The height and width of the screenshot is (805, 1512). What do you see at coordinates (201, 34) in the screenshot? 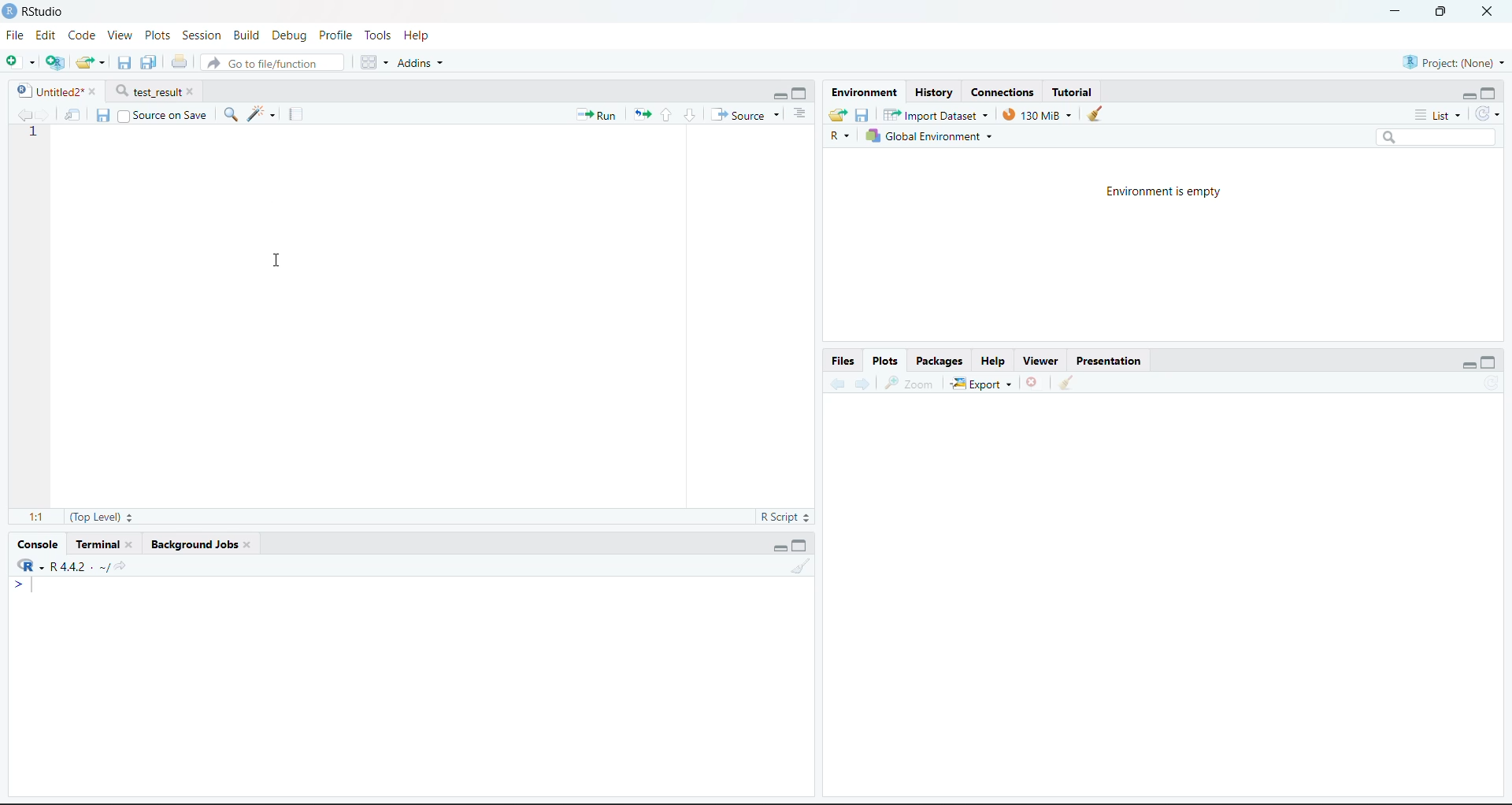
I see `Session` at bounding box center [201, 34].